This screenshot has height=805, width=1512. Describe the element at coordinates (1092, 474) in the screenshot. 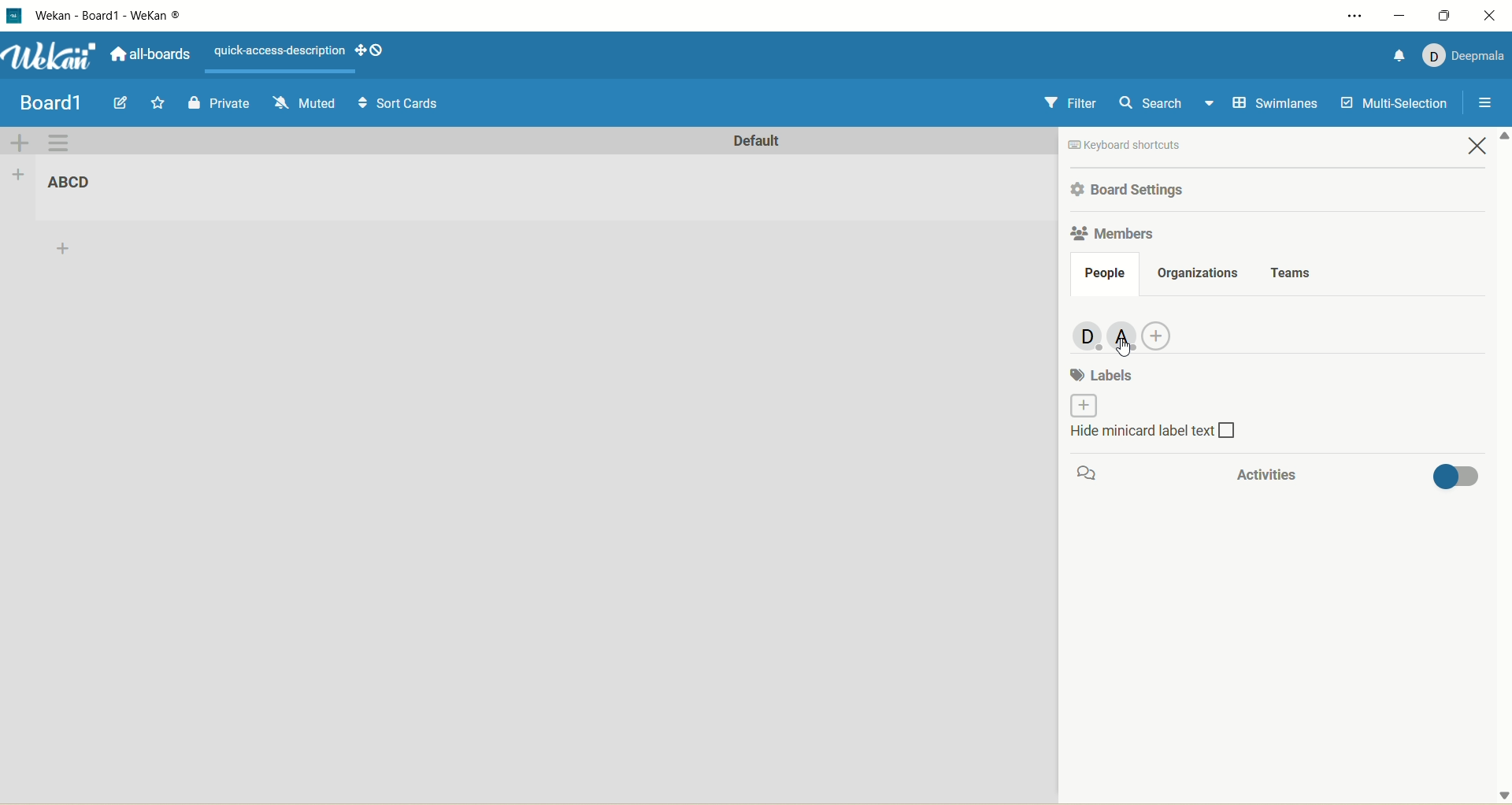

I see `comments` at that location.